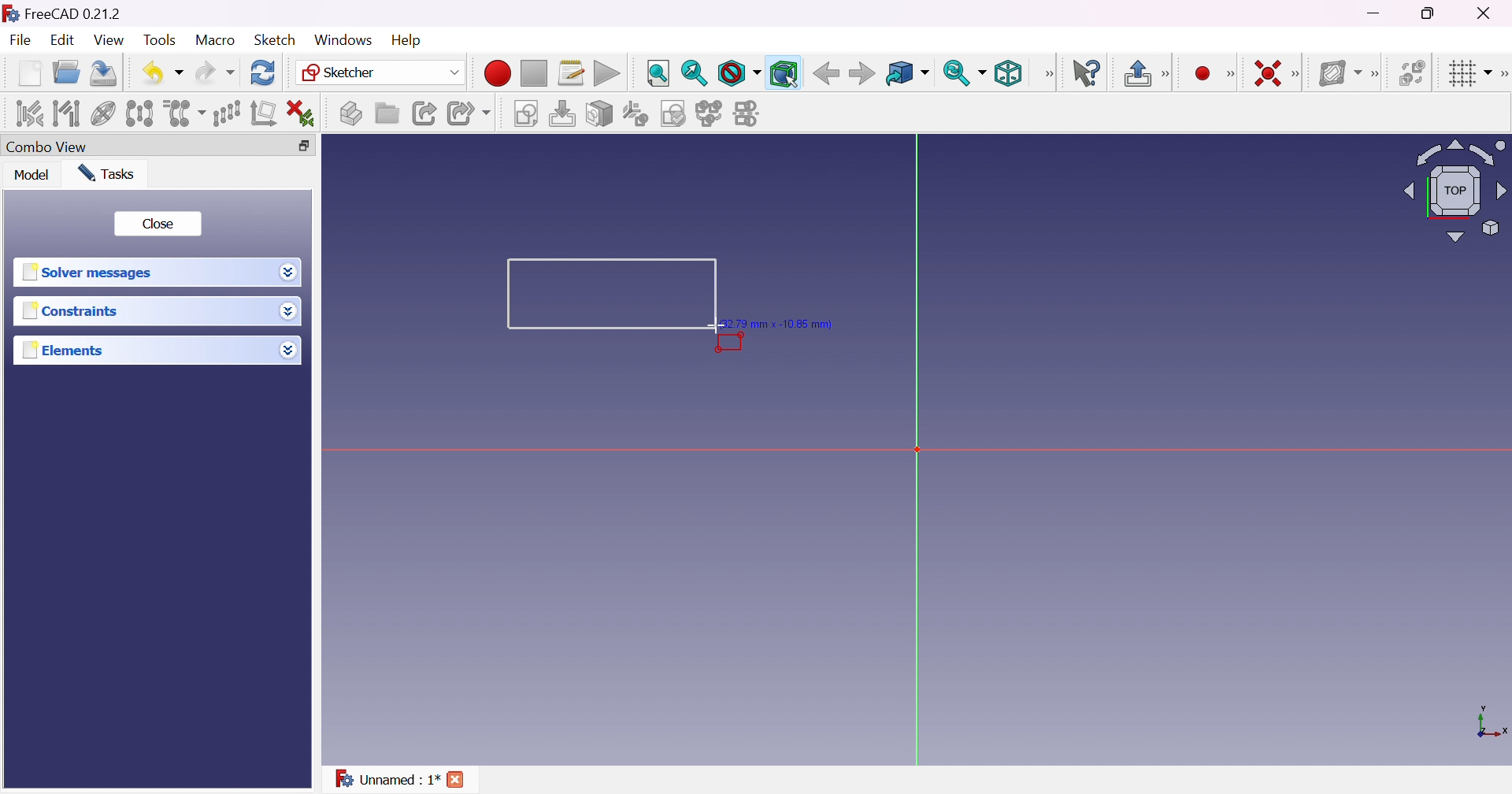 The width and height of the screenshot is (1512, 794). I want to click on Validate sketch..., so click(673, 114).